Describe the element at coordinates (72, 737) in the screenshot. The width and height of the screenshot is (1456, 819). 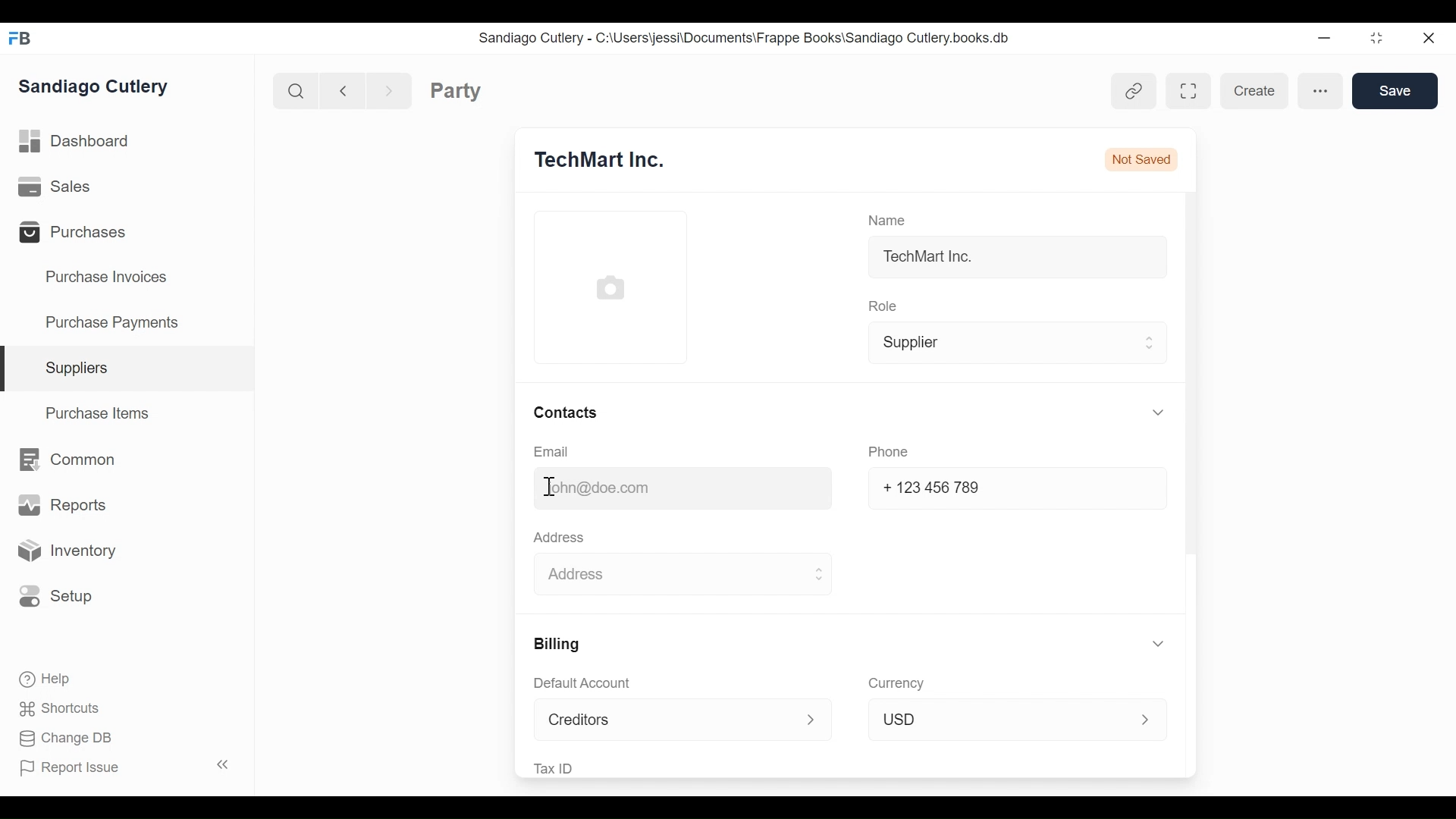
I see `Change DB` at that location.